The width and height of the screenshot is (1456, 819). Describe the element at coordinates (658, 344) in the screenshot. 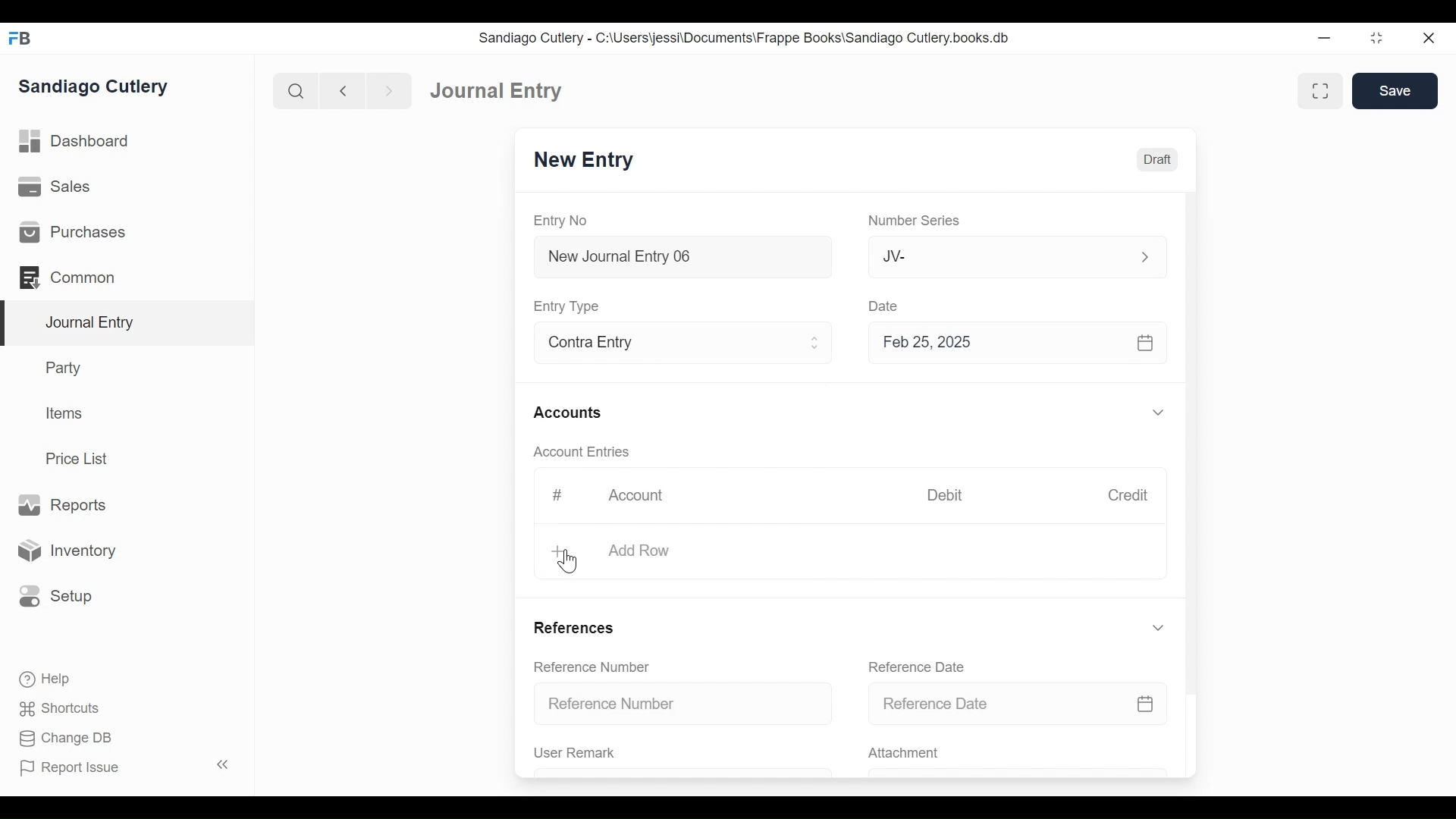

I see `Contra Entry` at that location.